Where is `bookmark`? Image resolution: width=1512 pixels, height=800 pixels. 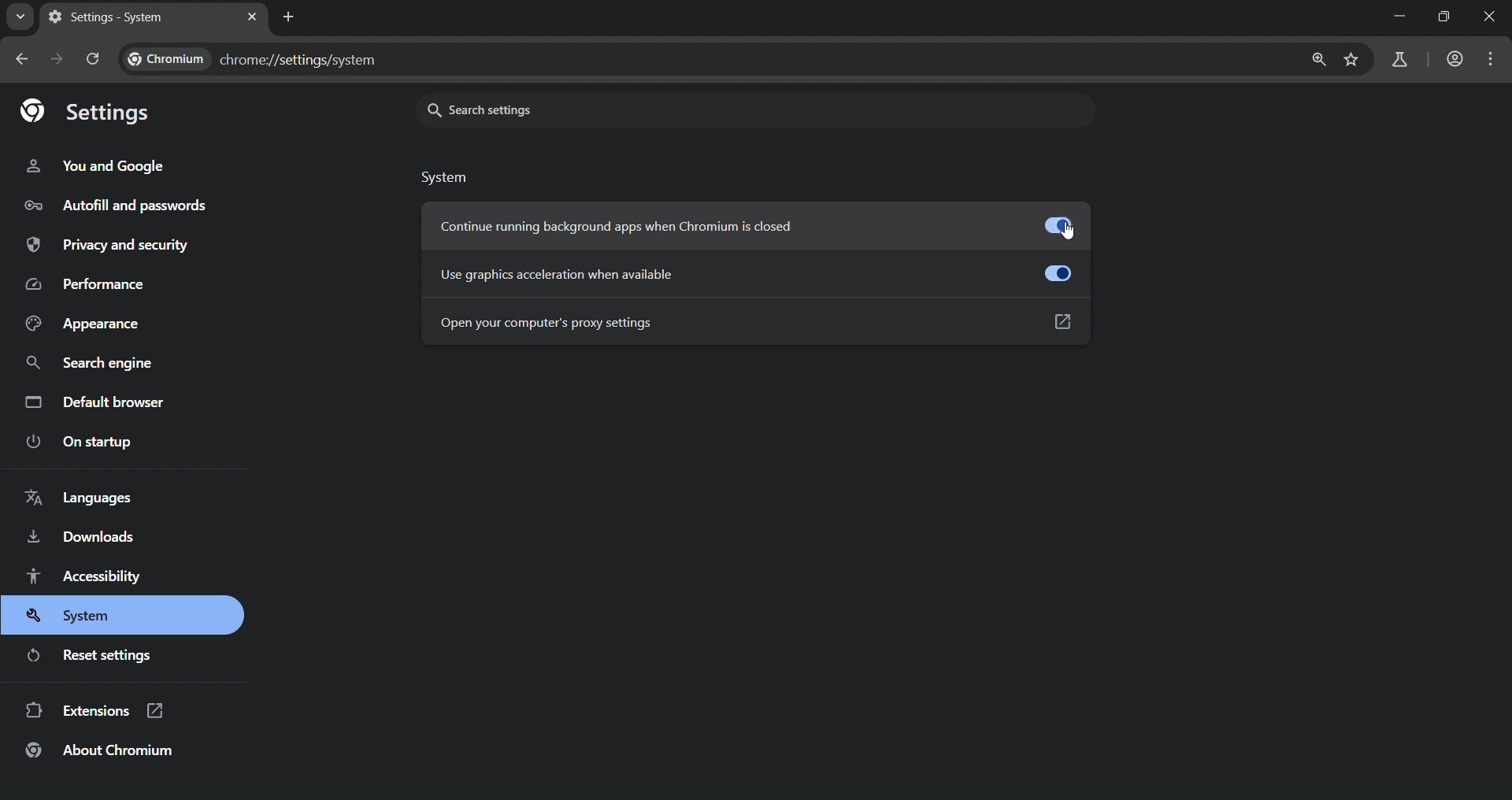
bookmark is located at coordinates (1353, 60).